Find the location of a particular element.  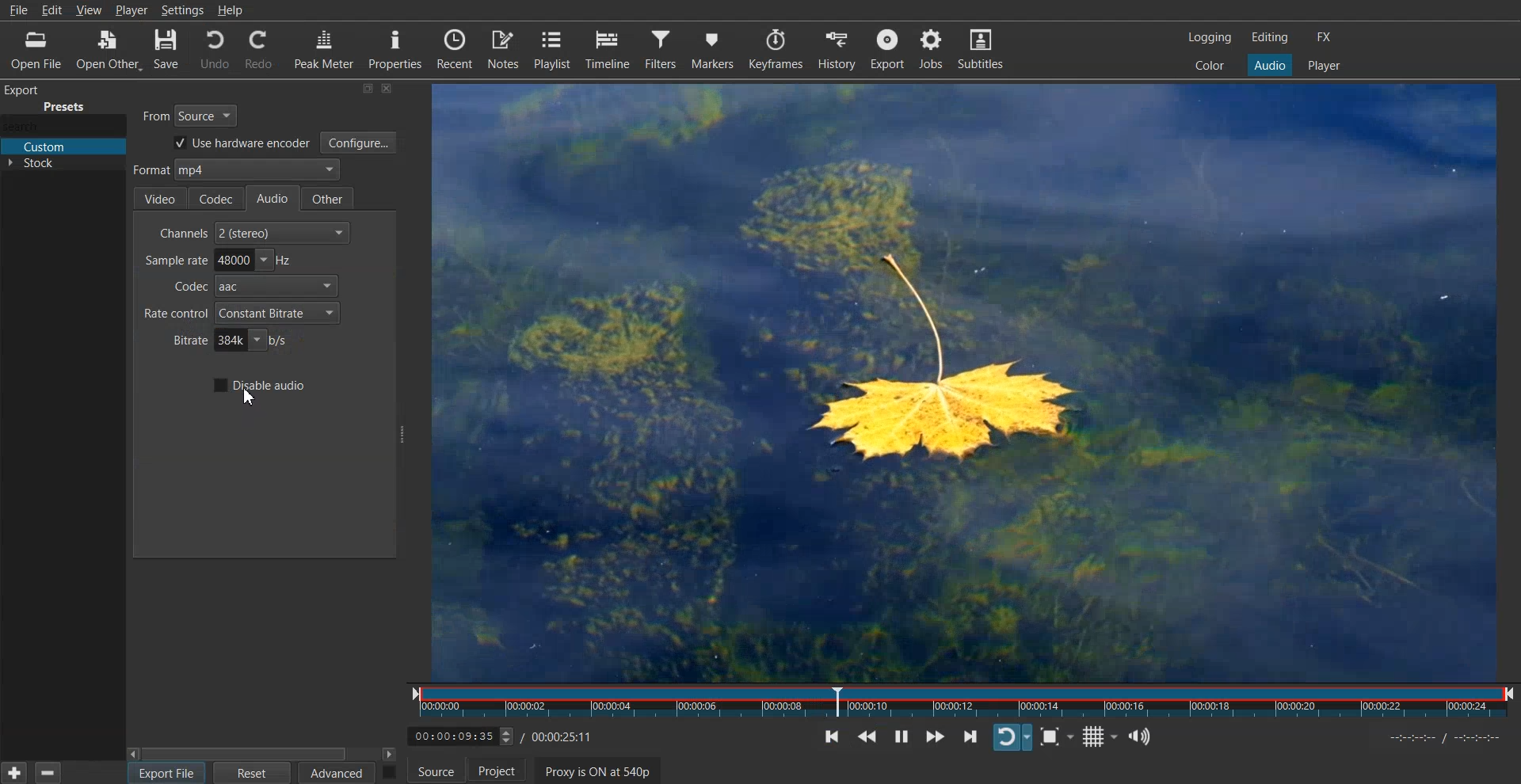

Recent is located at coordinates (456, 49).